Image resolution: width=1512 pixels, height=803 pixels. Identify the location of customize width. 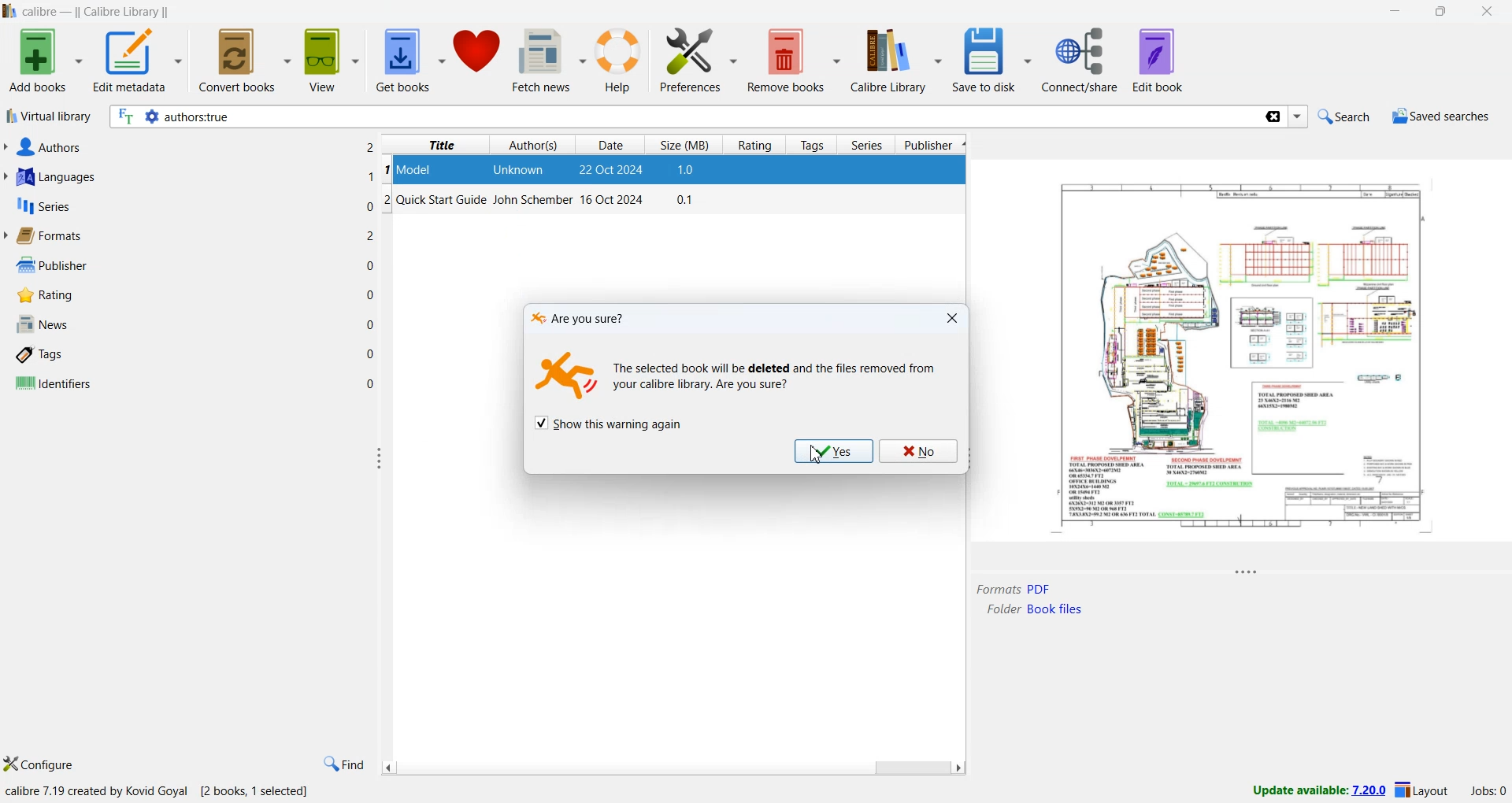
(966, 458).